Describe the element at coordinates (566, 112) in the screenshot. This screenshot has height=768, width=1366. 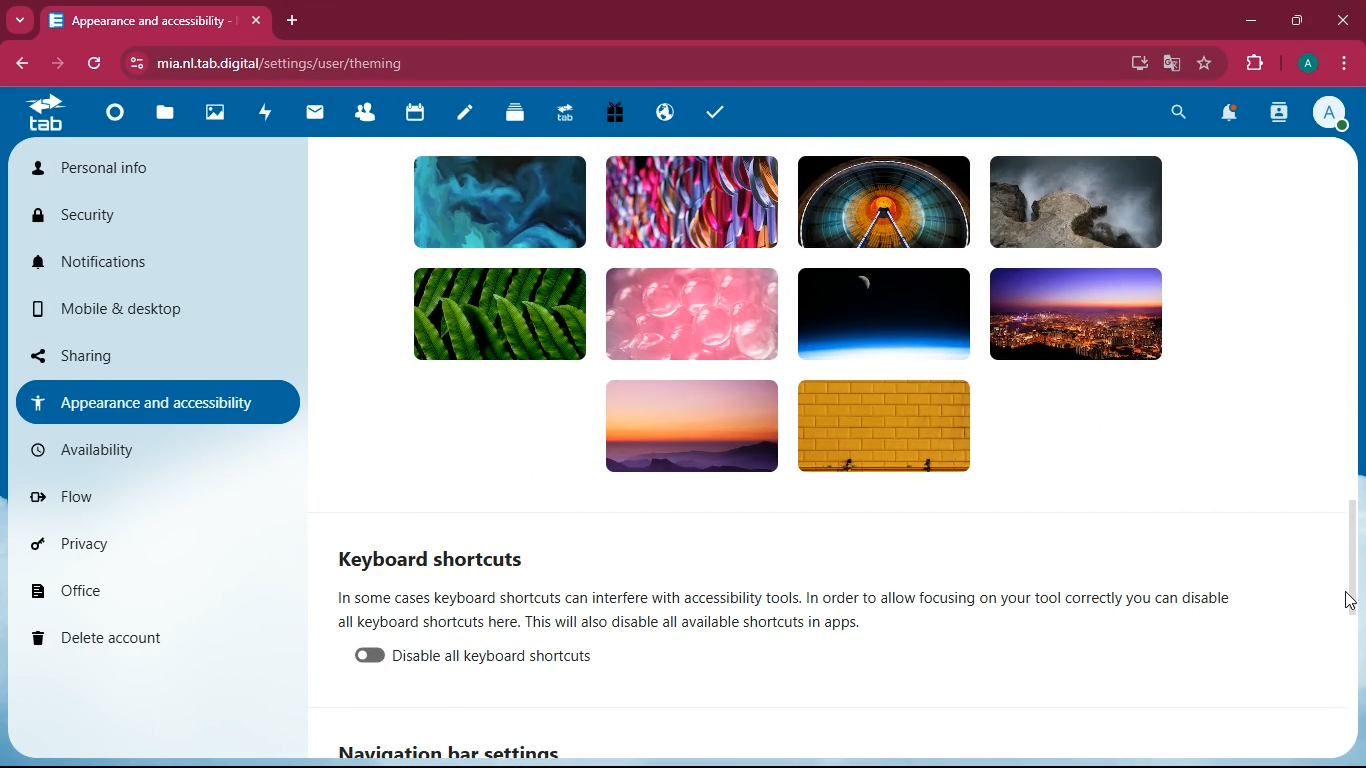
I see `tab` at that location.